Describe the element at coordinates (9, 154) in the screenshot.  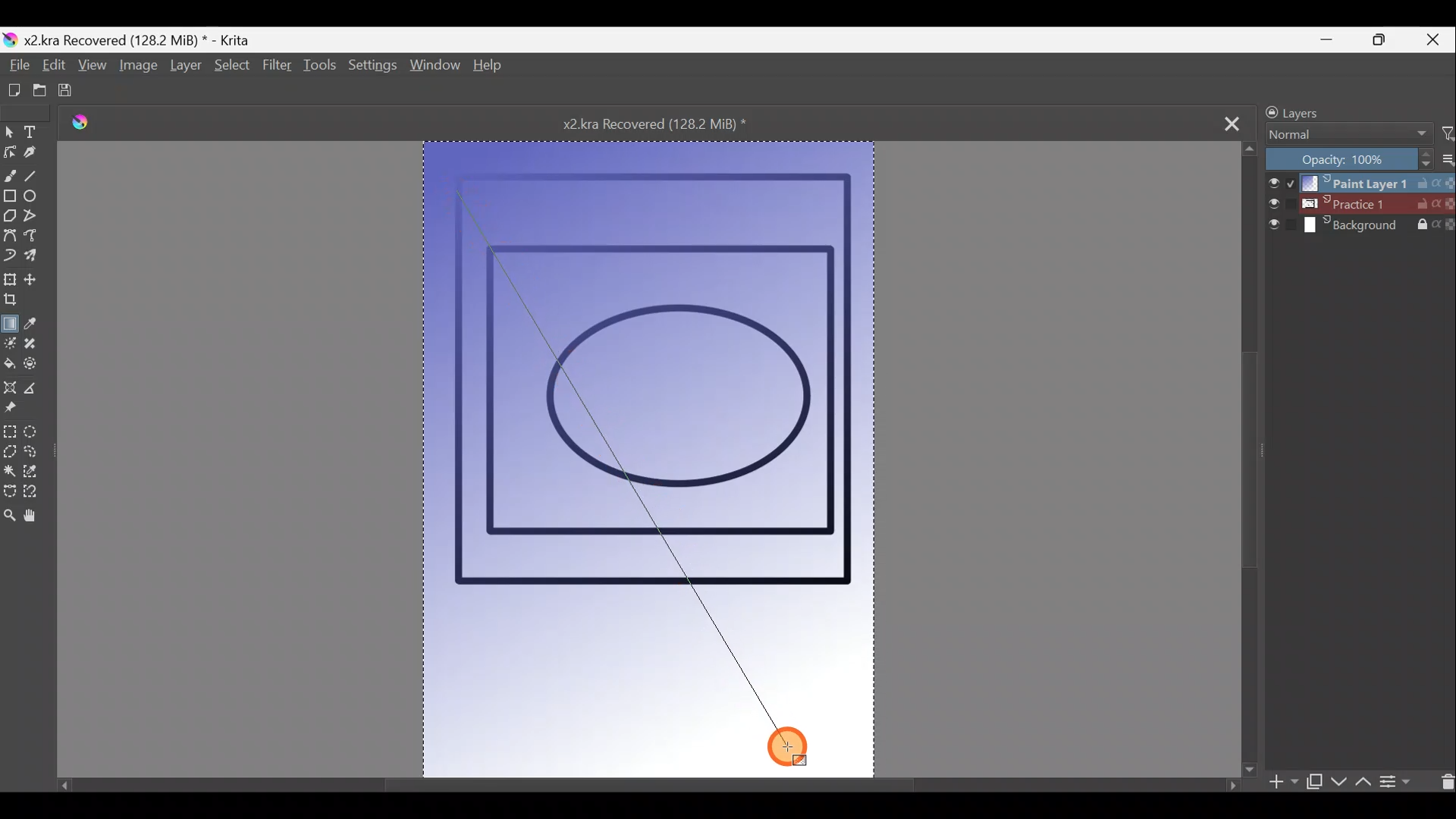
I see `Edit shapes tool` at that location.